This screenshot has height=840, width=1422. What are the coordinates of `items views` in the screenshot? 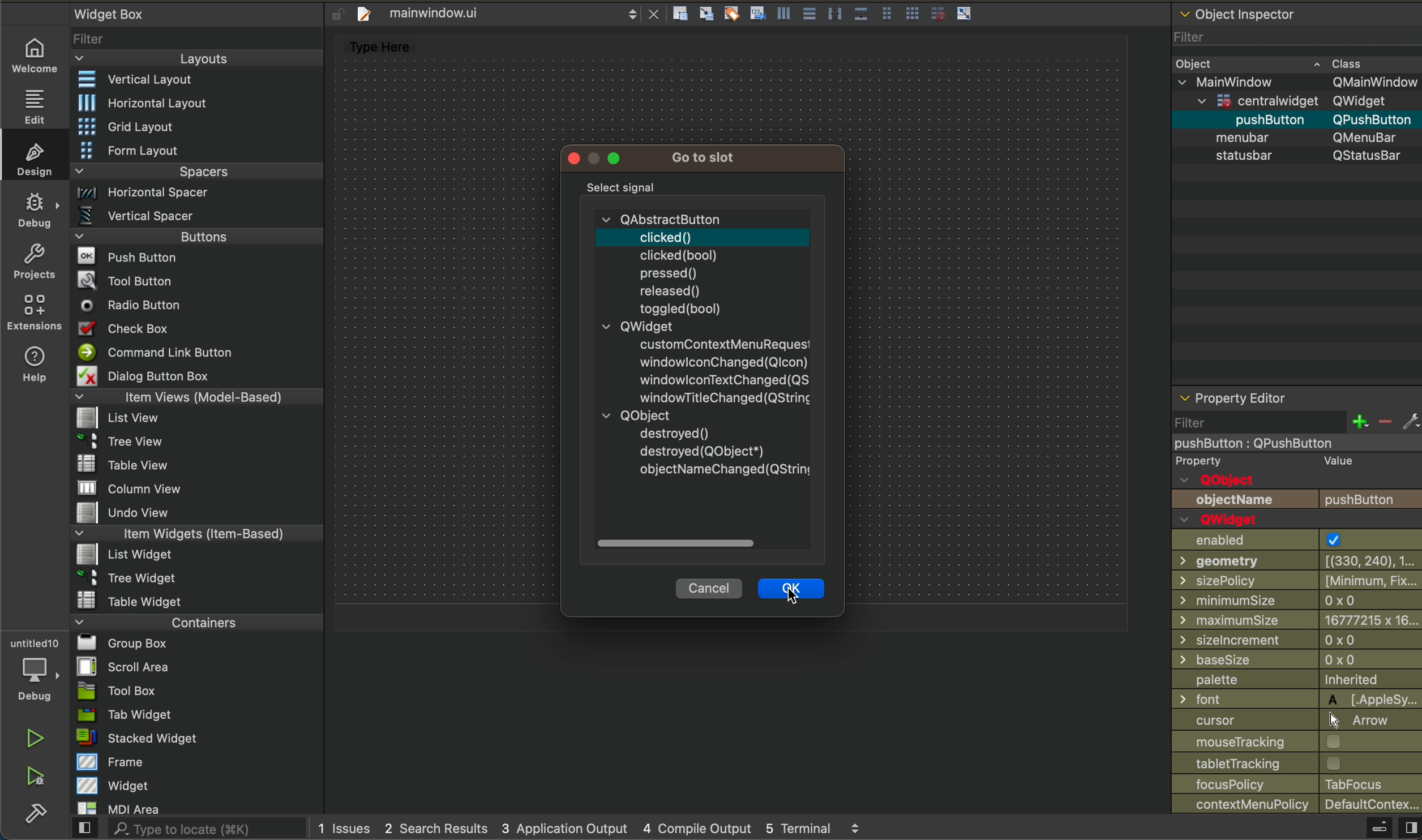 It's located at (198, 398).